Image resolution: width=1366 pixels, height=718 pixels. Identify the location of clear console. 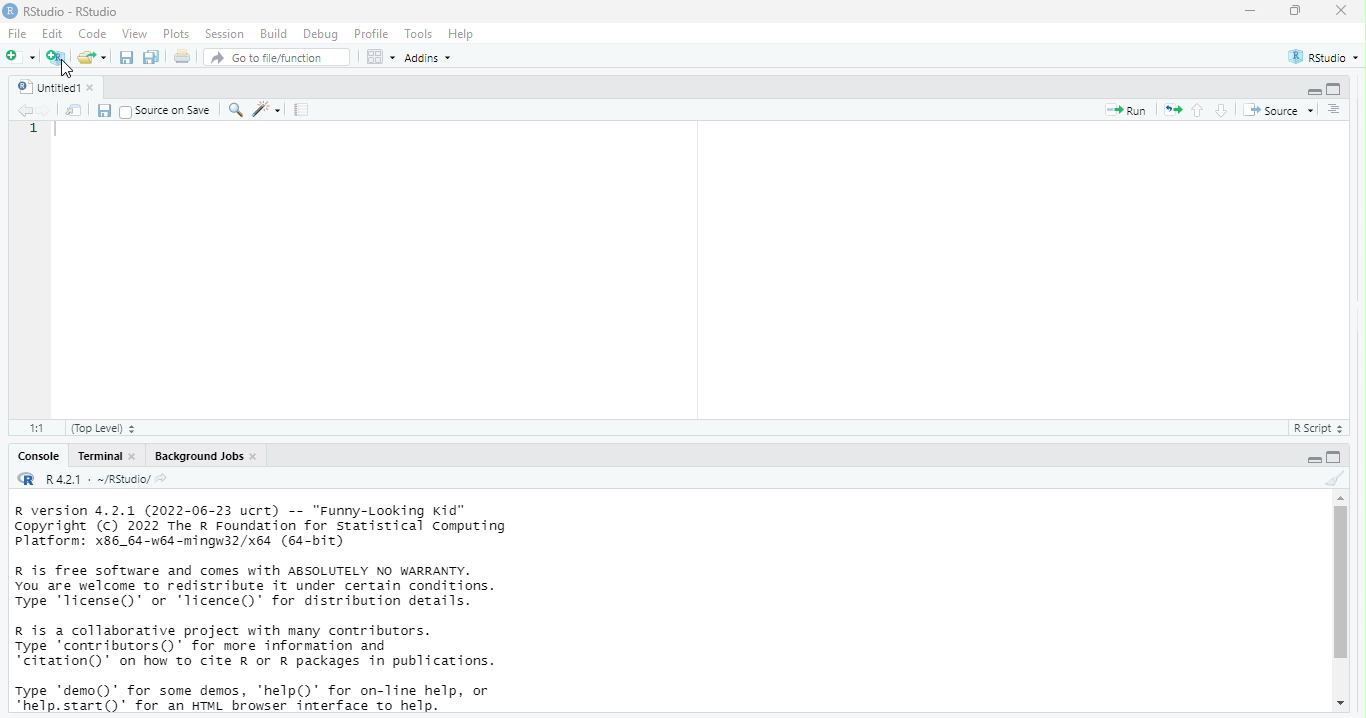
(1336, 477).